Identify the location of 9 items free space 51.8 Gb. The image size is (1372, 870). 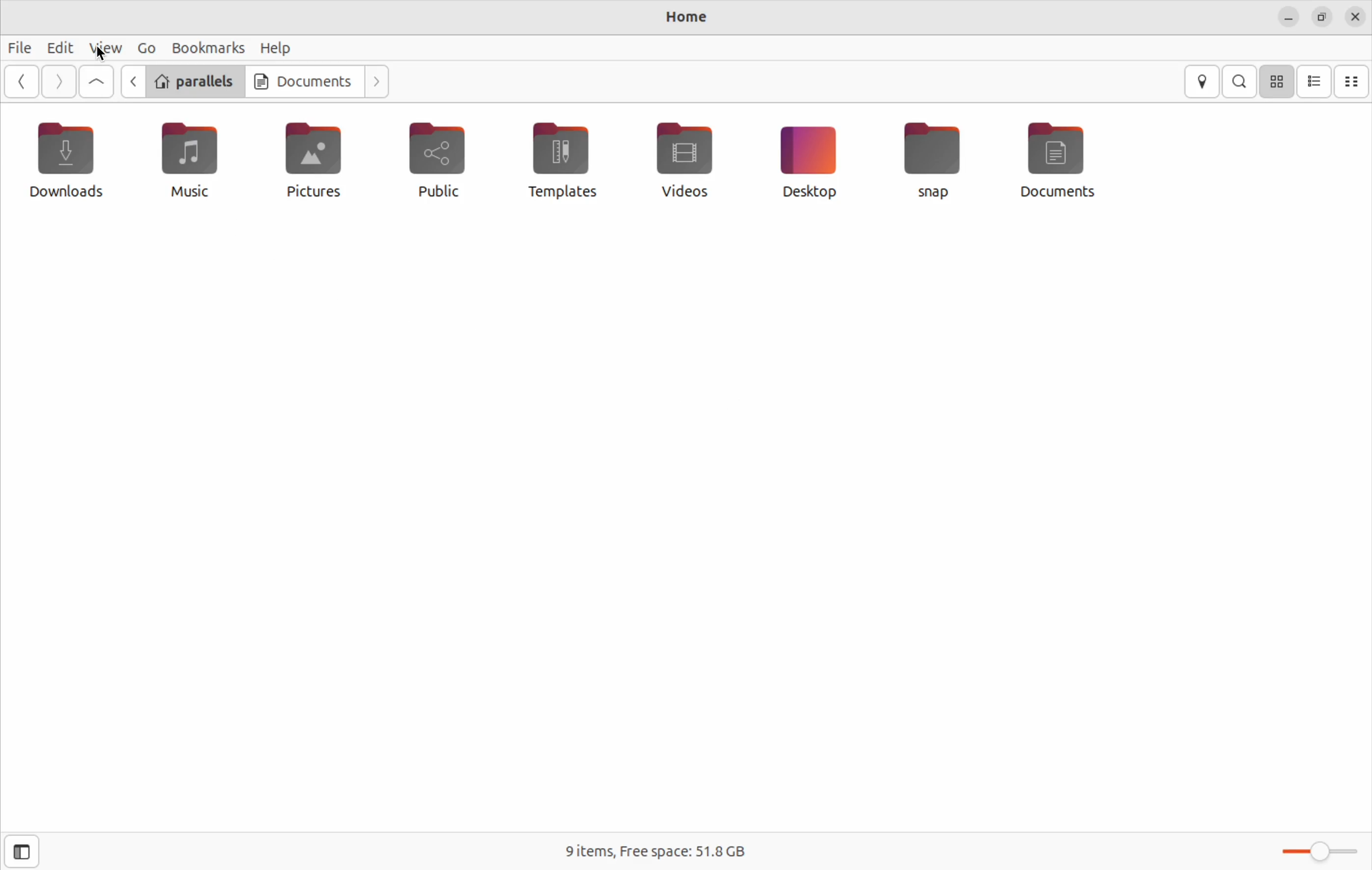
(658, 849).